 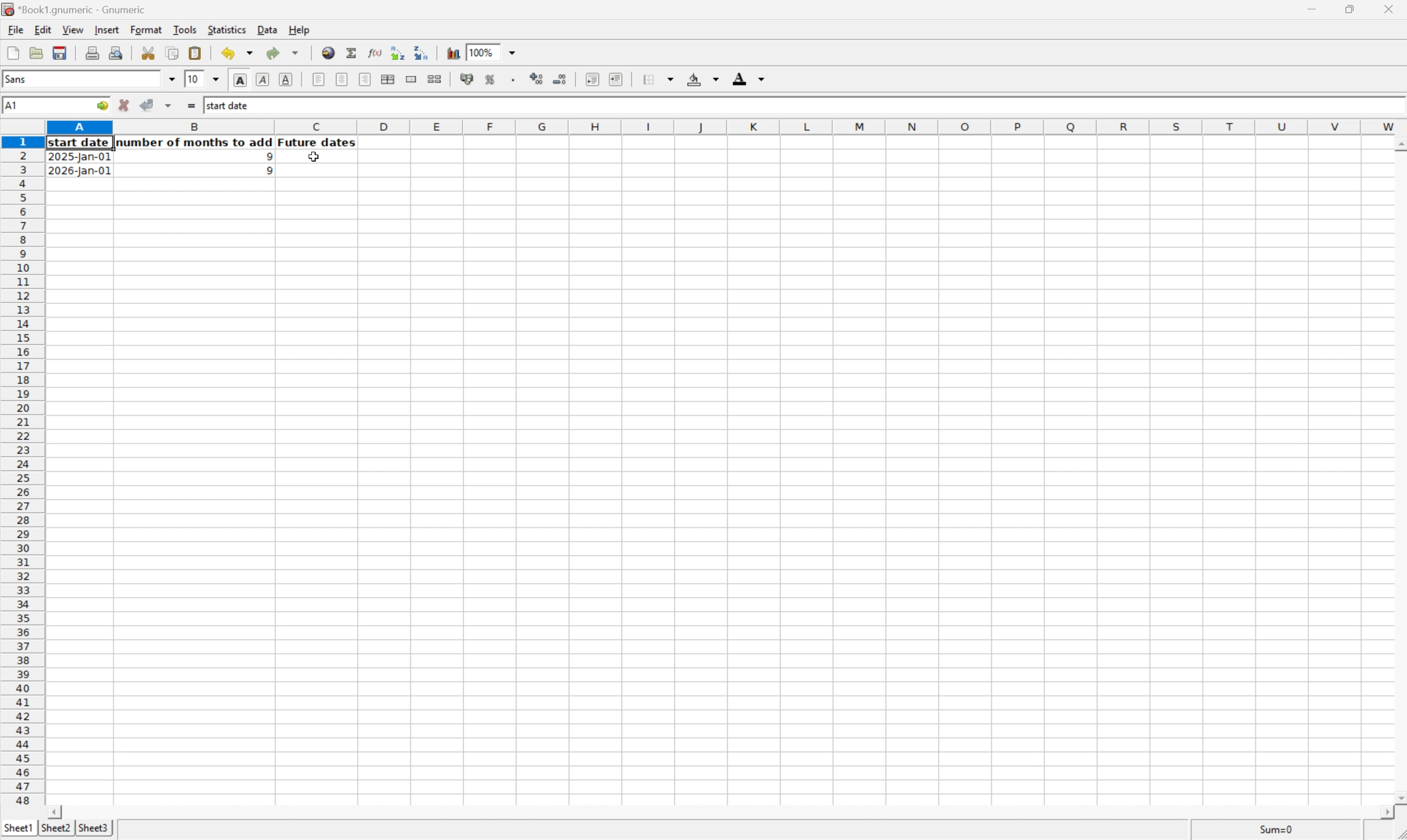 What do you see at coordinates (265, 156) in the screenshot?
I see `9` at bounding box center [265, 156].